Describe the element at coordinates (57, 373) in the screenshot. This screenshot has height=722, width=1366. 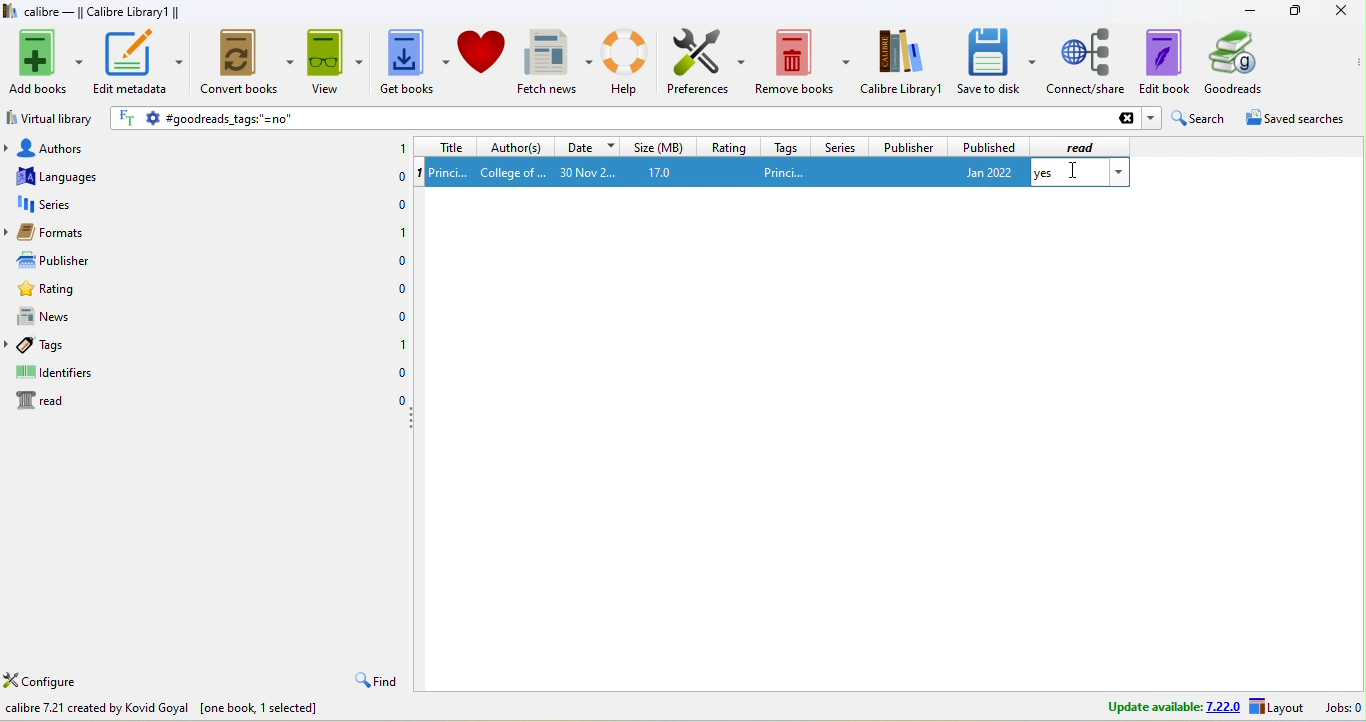
I see `identifiers` at that location.